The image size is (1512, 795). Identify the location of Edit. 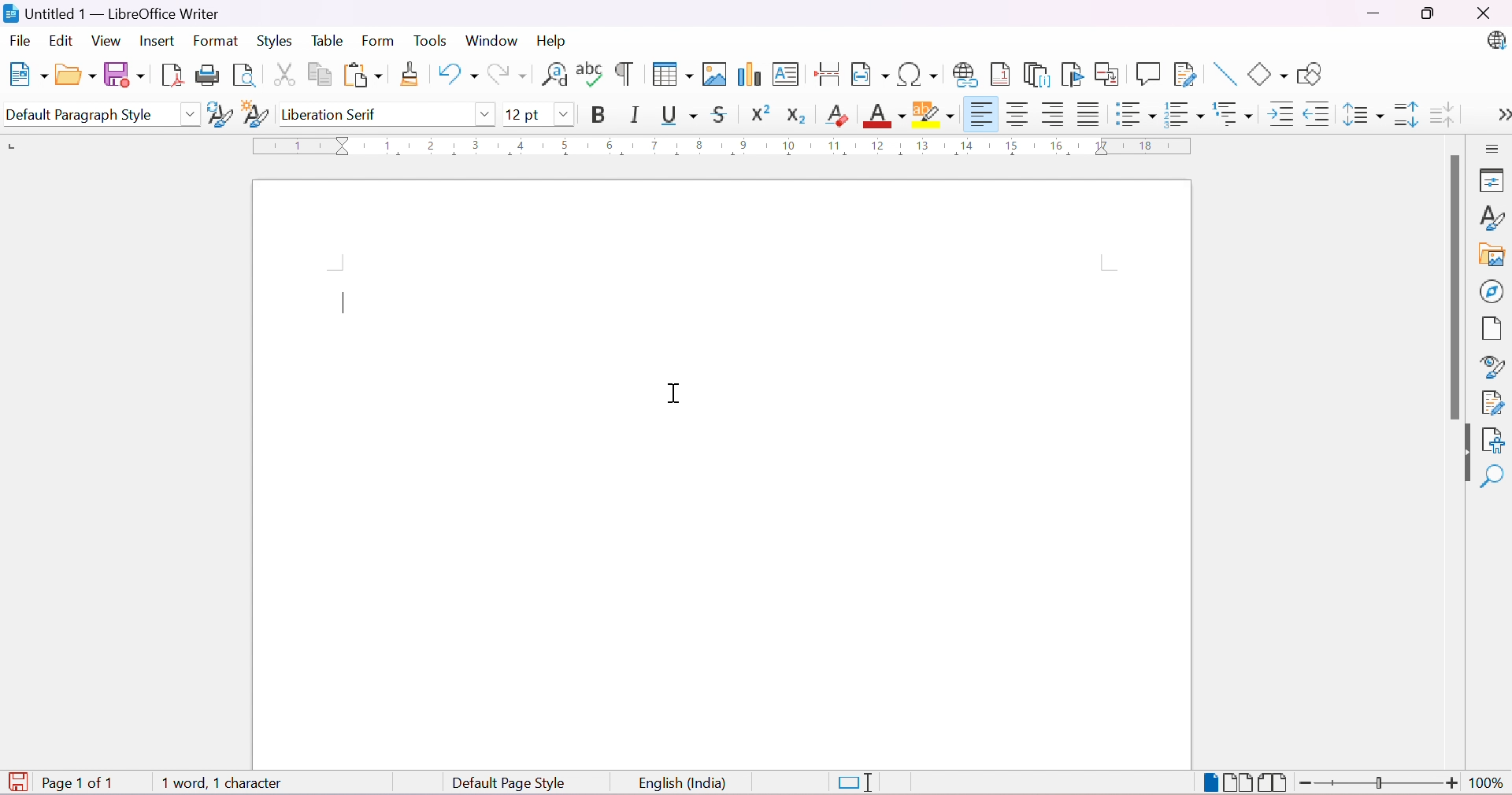
(61, 42).